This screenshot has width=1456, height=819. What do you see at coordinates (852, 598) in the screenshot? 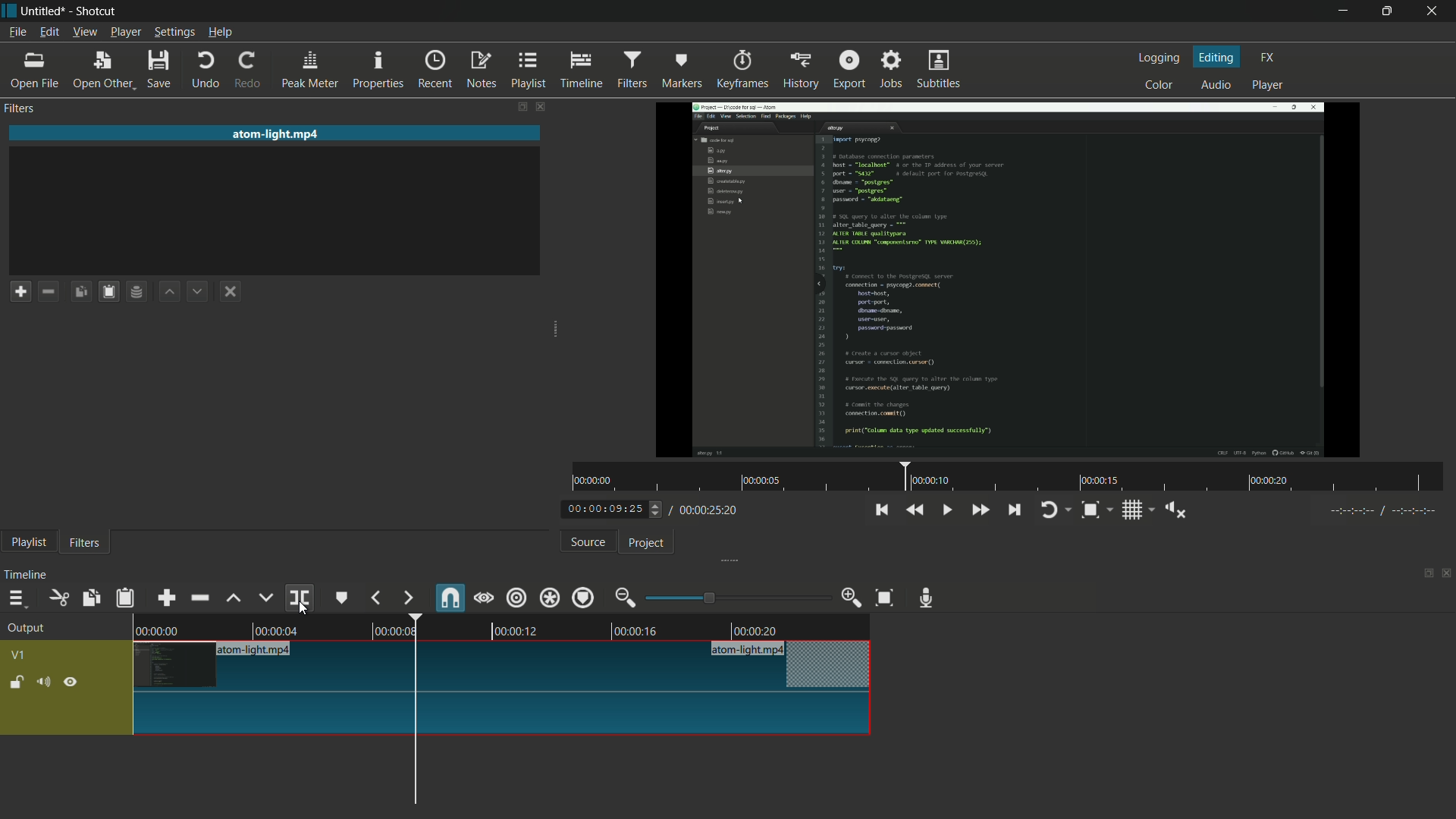
I see `zoom in` at bounding box center [852, 598].